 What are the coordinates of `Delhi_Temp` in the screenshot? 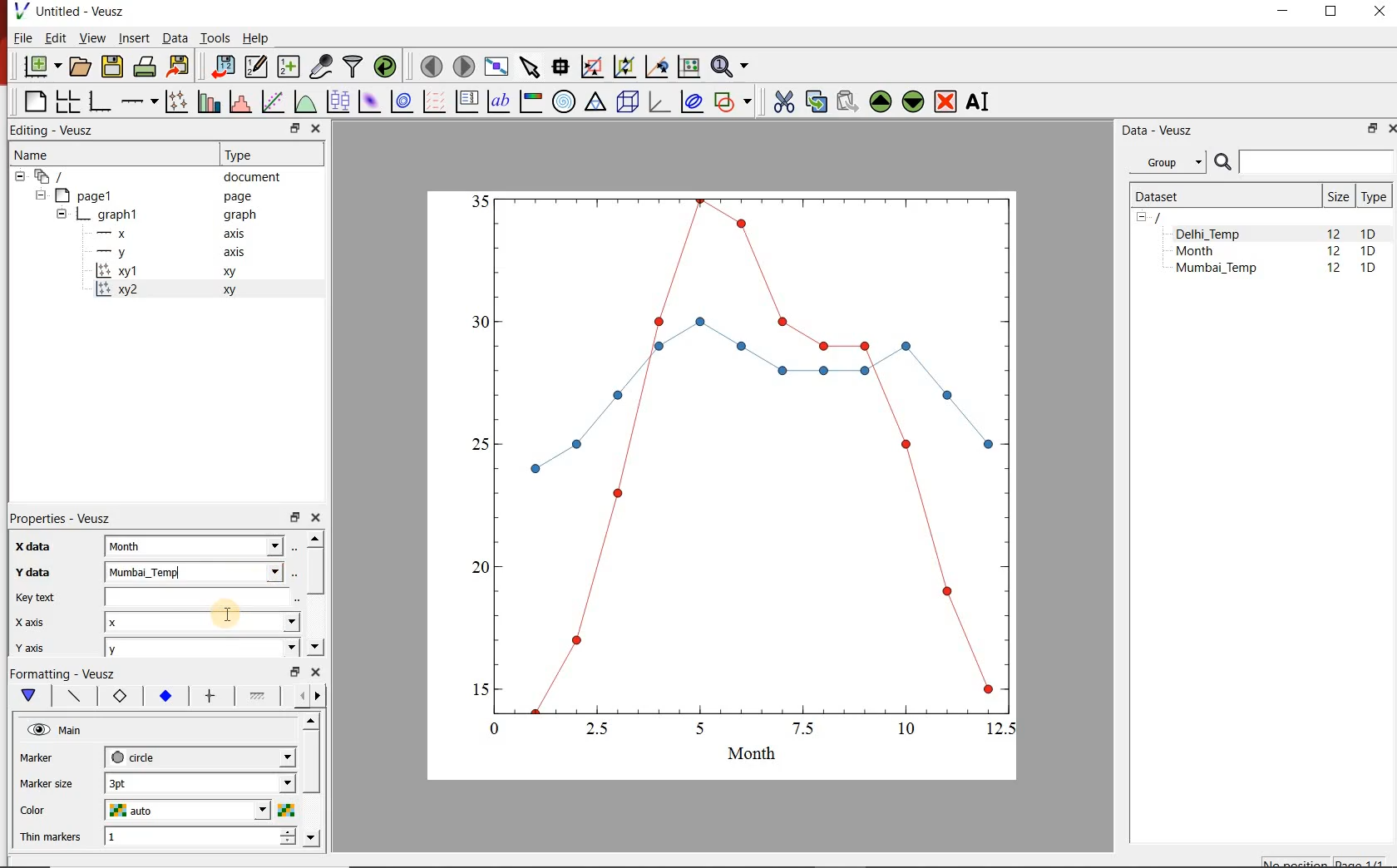 It's located at (1211, 234).